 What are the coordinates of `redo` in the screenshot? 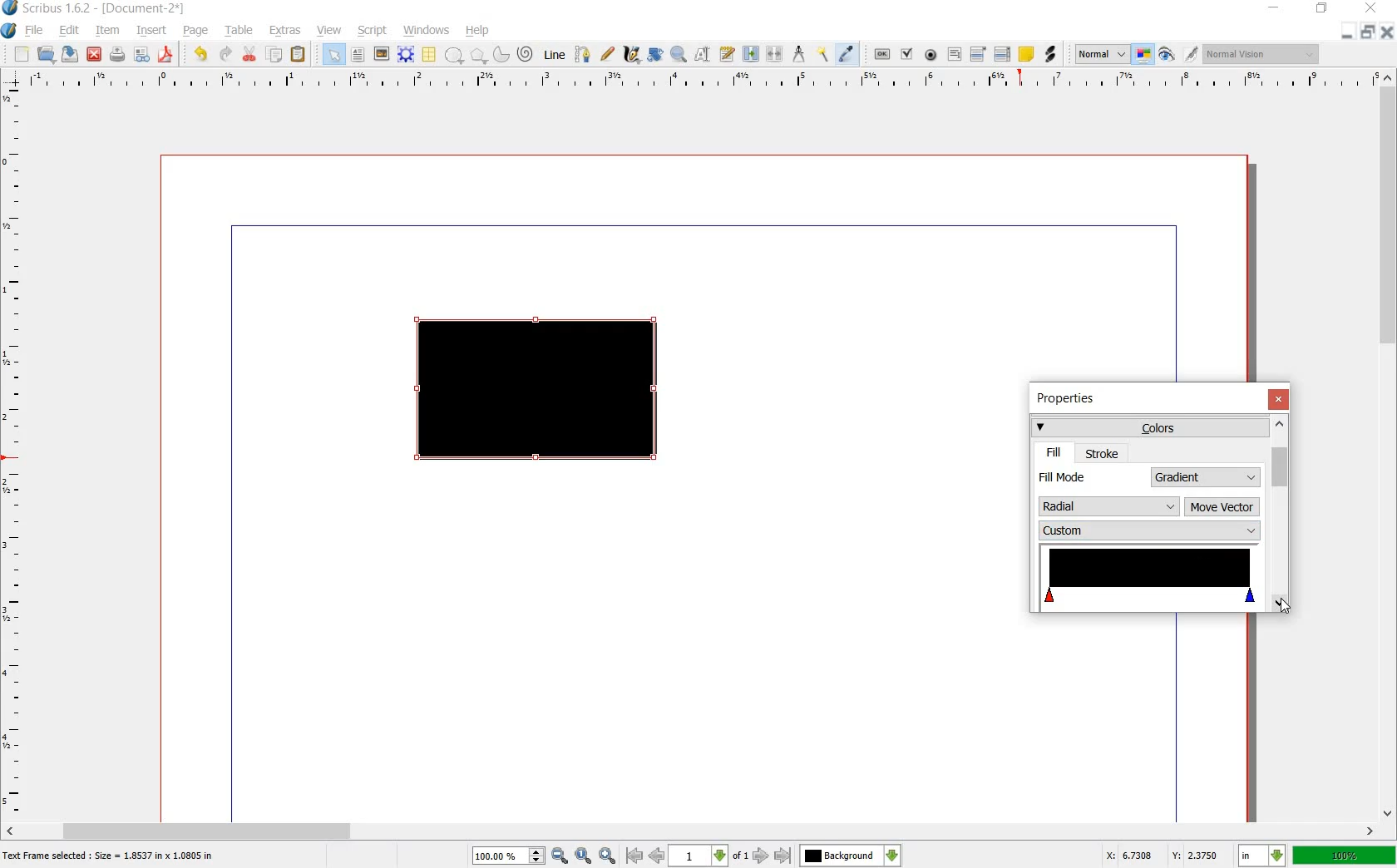 It's located at (225, 55).